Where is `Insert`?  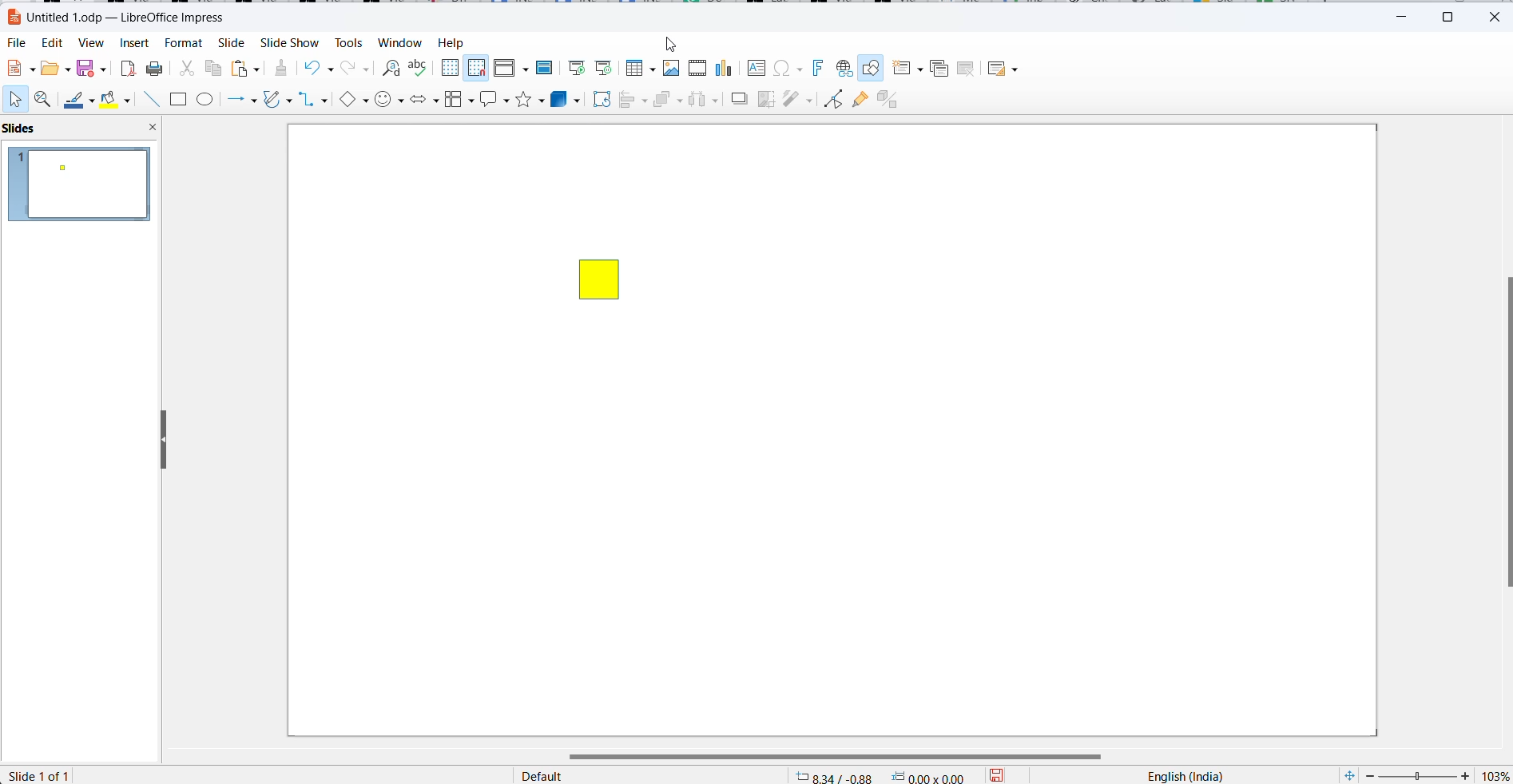
Insert is located at coordinates (134, 44).